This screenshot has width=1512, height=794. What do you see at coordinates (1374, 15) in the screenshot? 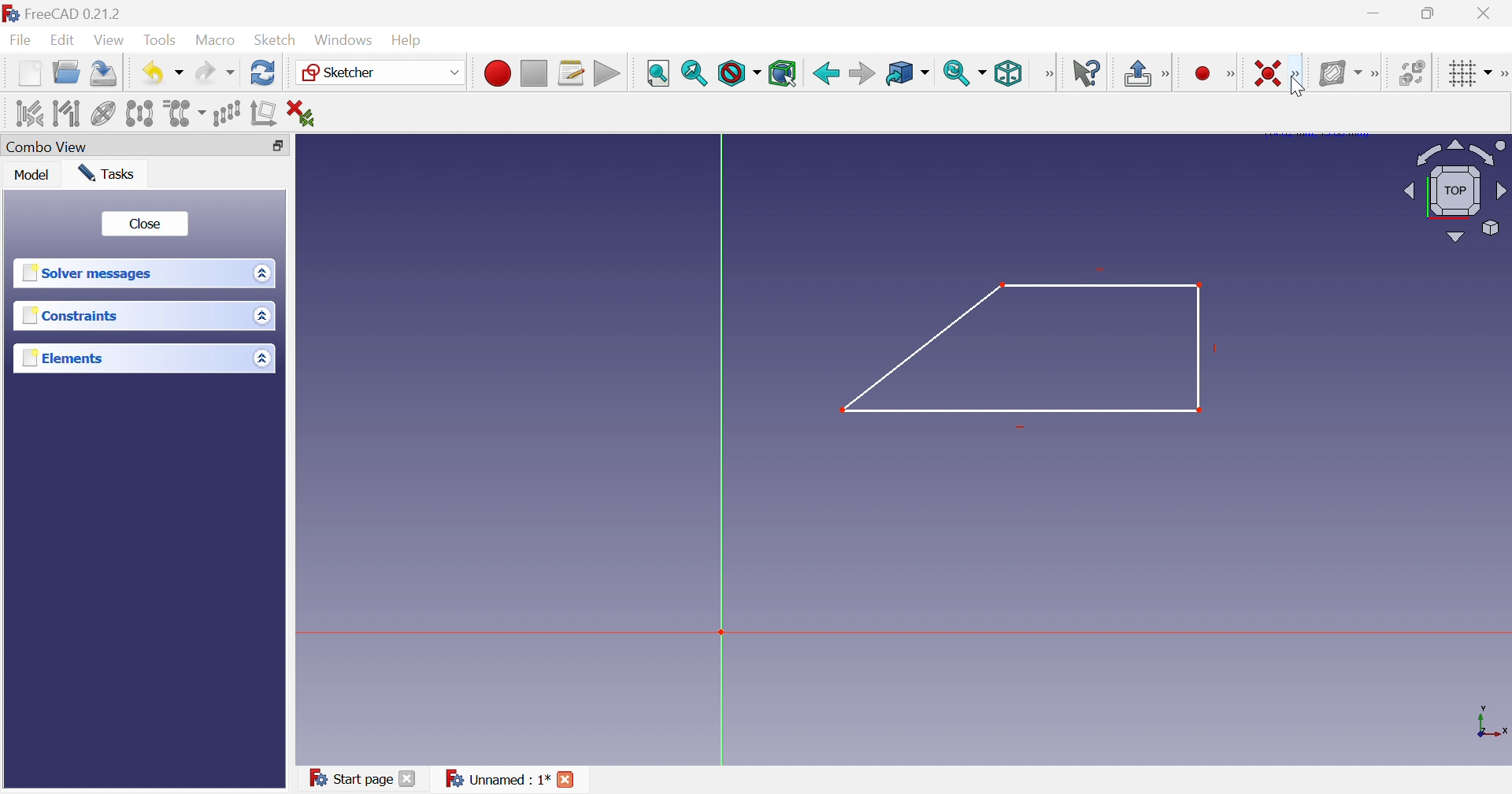
I see `Minimize` at bounding box center [1374, 15].